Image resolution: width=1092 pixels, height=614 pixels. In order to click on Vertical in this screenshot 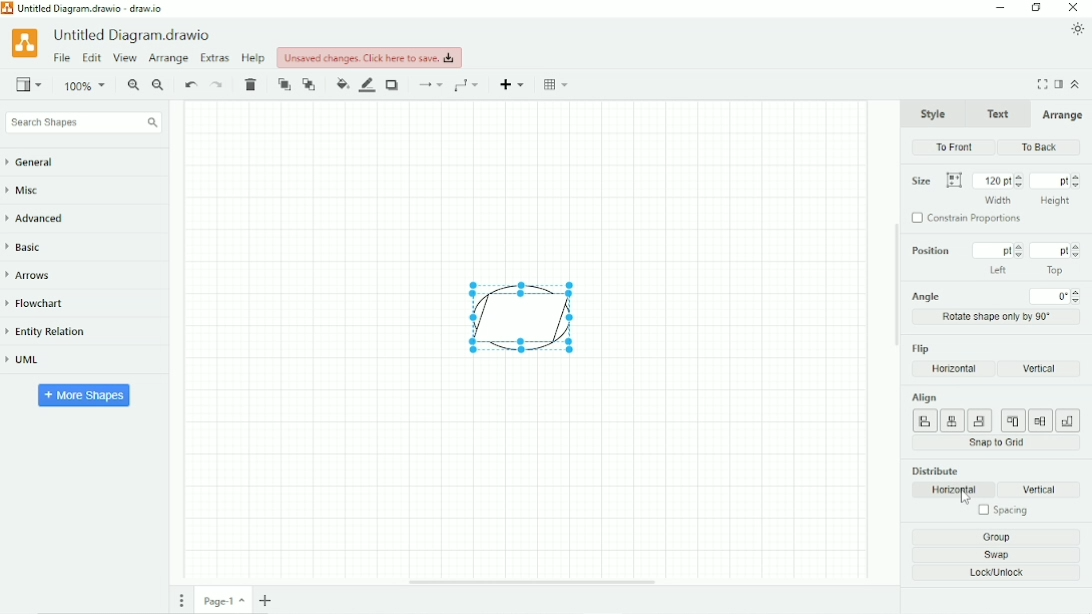, I will do `click(1045, 490)`.